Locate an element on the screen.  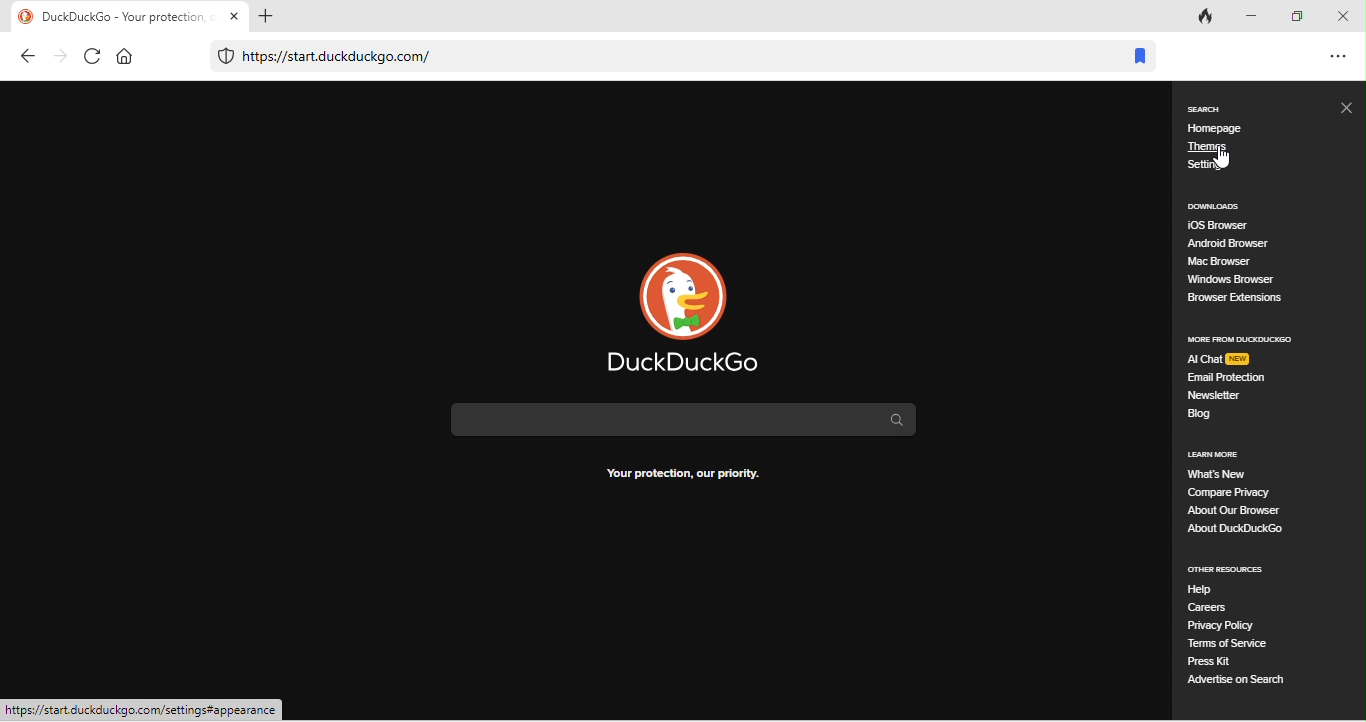
setting is located at coordinates (1212, 165).